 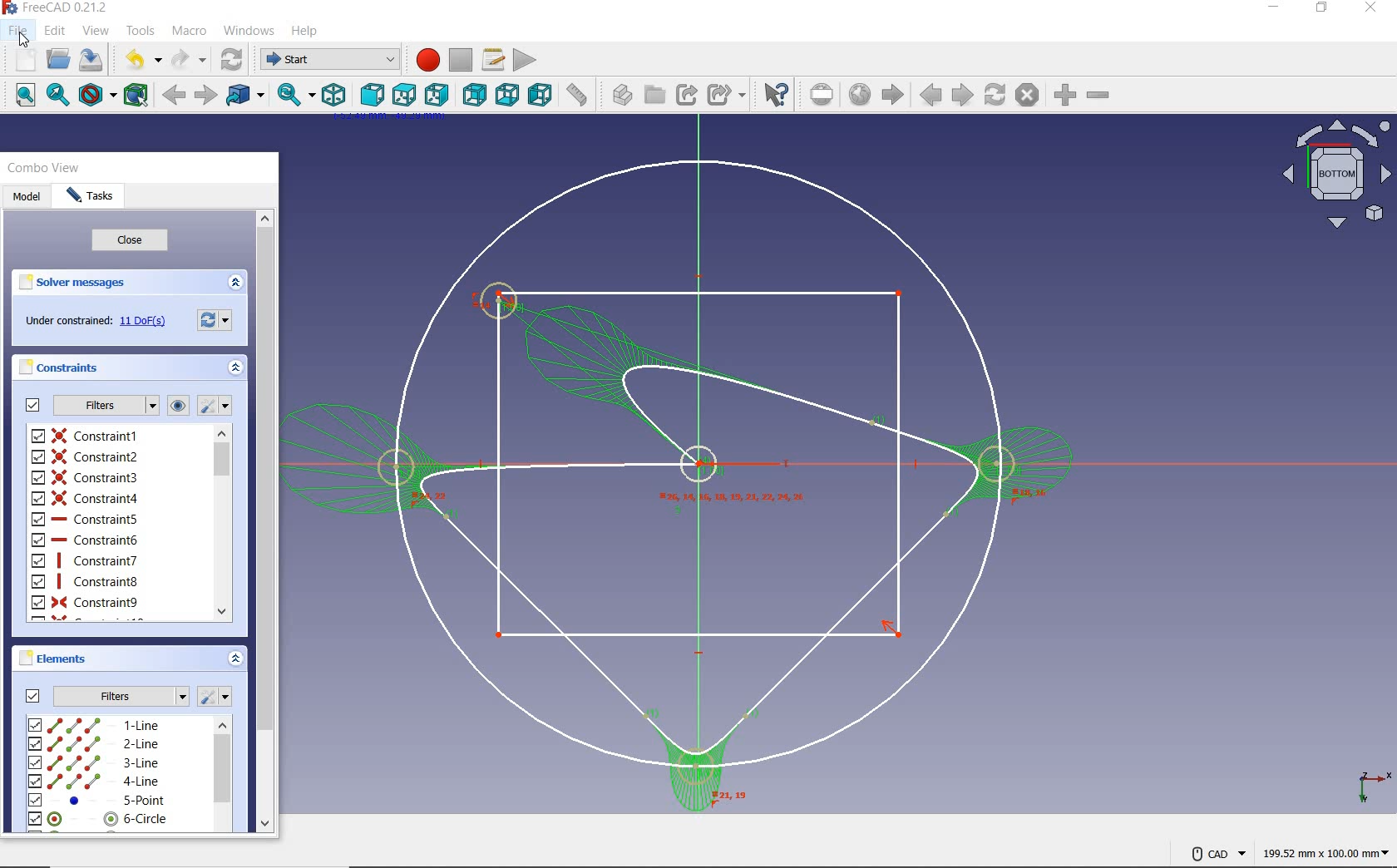 I want to click on bottom view, so click(x=1335, y=175).